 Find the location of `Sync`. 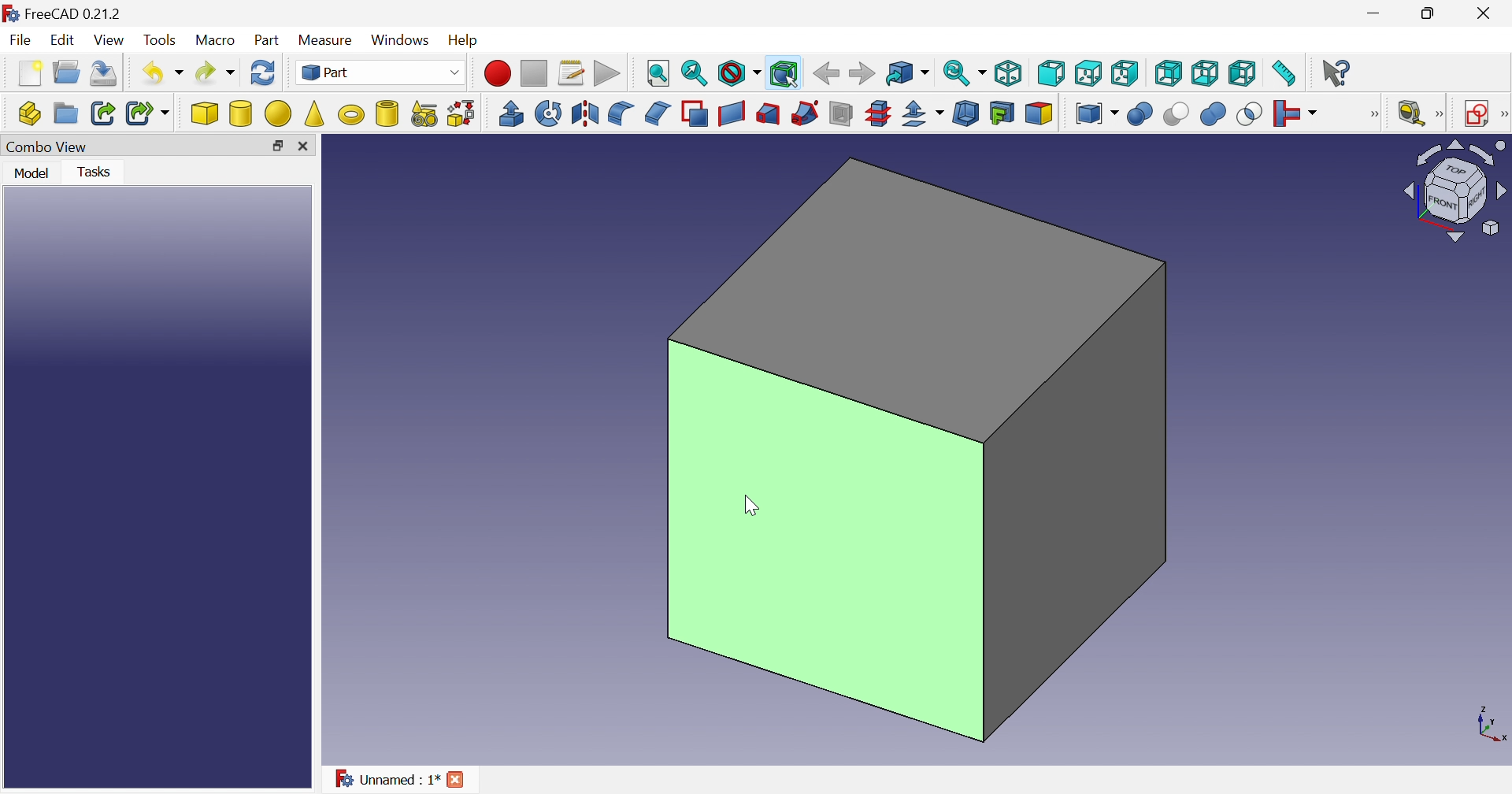

Sync is located at coordinates (966, 72).